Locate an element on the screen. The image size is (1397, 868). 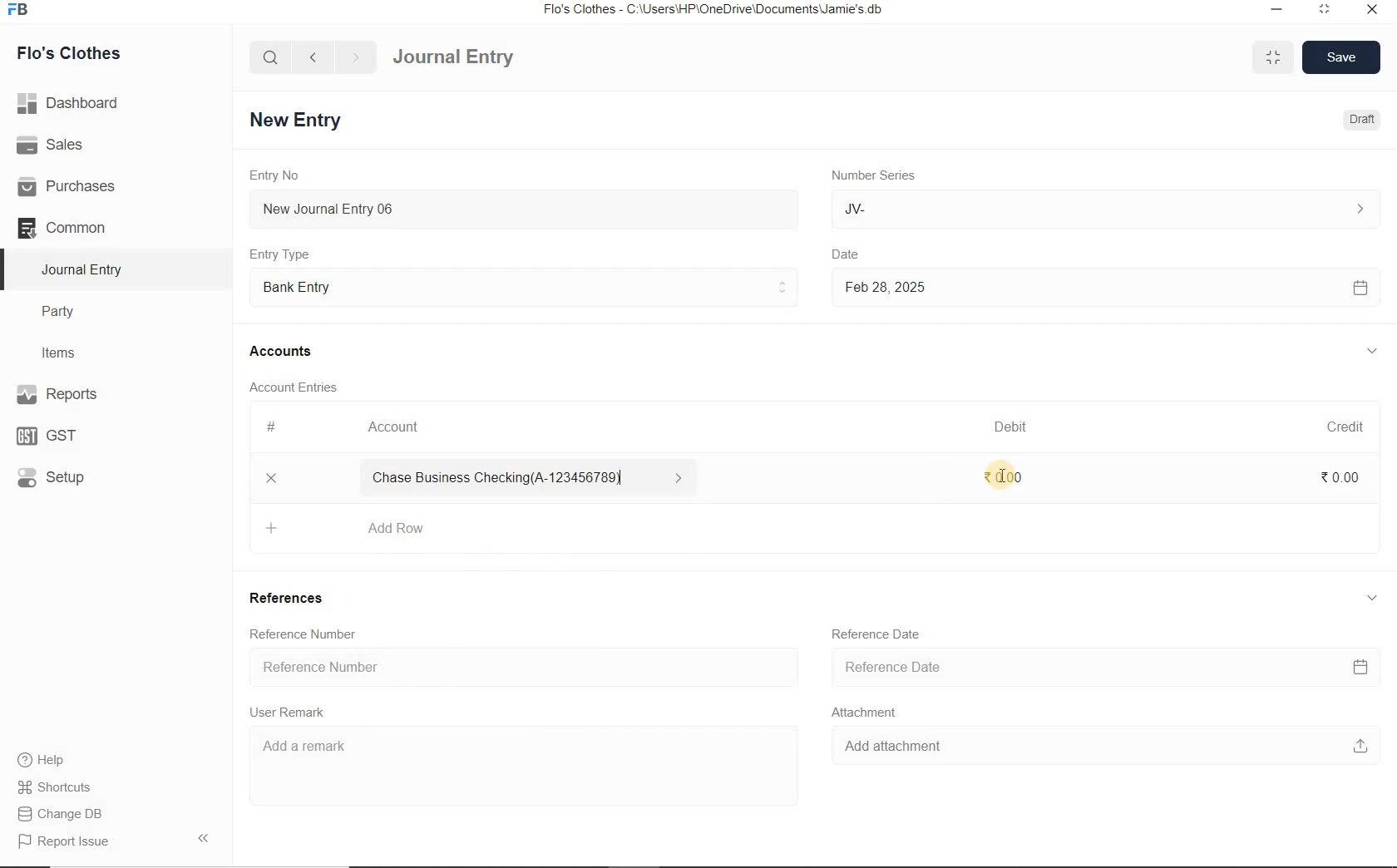
maximize is located at coordinates (1325, 8).